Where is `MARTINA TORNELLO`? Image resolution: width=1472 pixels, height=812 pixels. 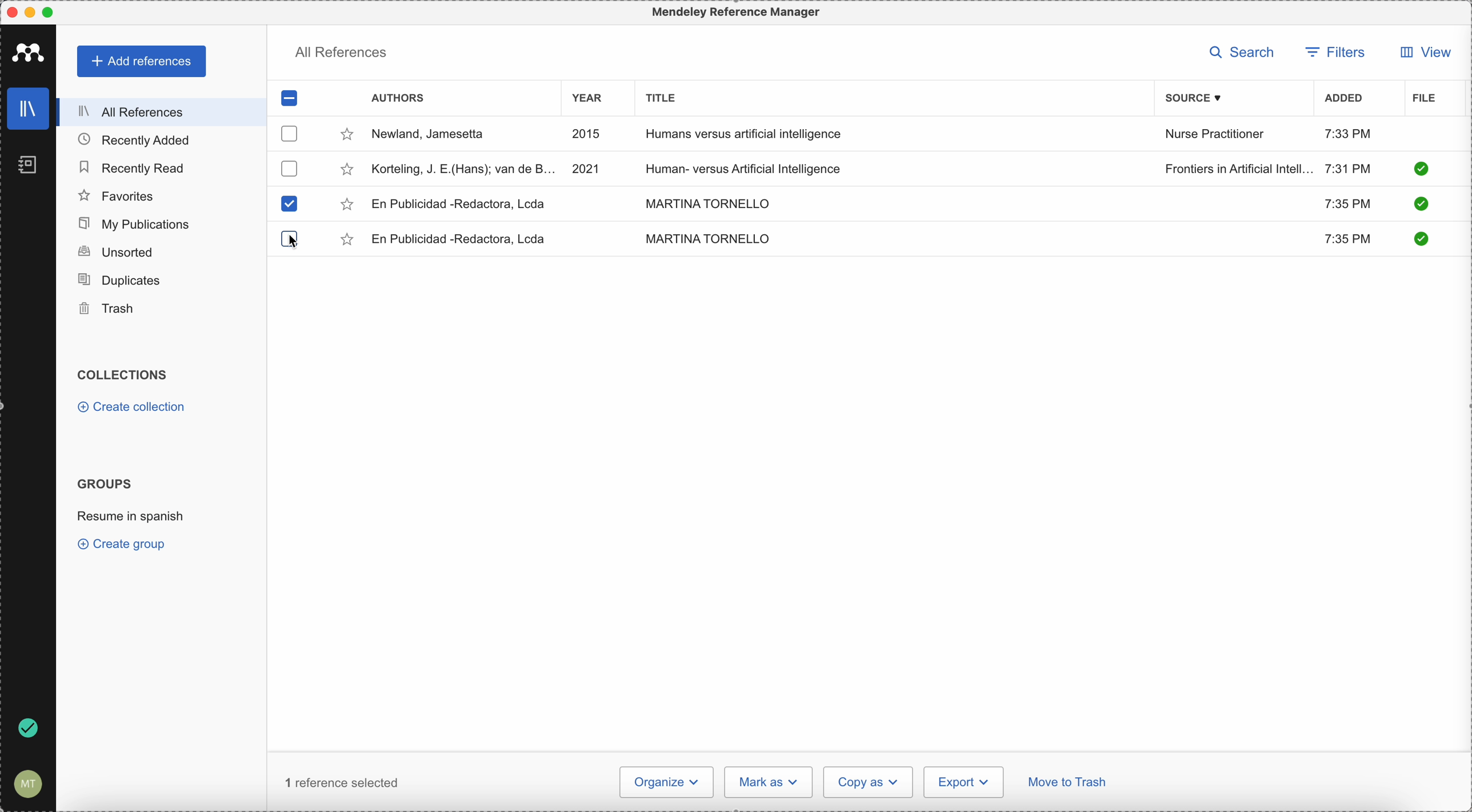 MARTINA TORNELLO is located at coordinates (705, 202).